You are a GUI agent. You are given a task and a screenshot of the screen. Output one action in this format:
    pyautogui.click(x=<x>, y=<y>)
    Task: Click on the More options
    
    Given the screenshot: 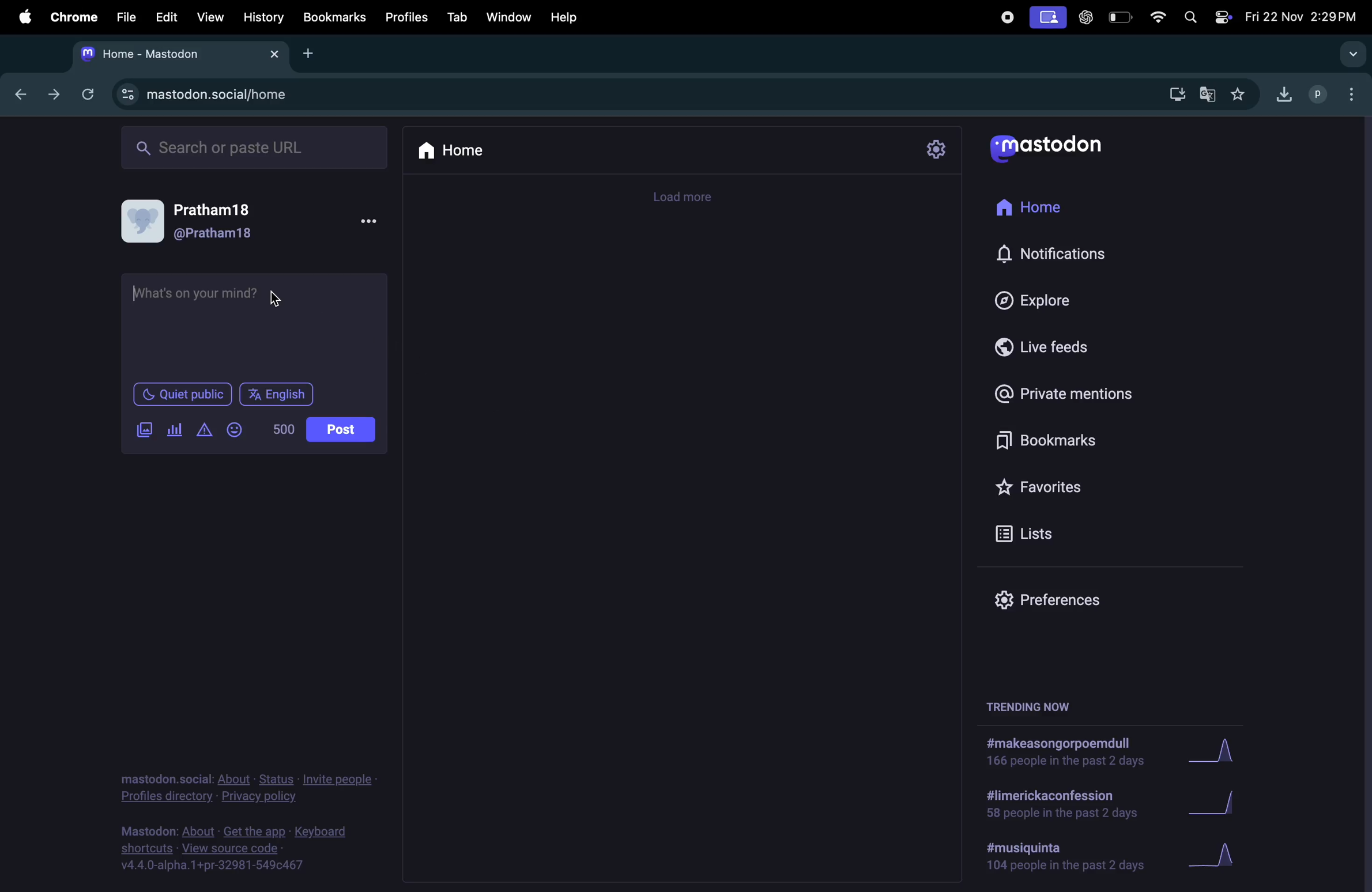 What is the action you would take?
    pyautogui.click(x=368, y=225)
    